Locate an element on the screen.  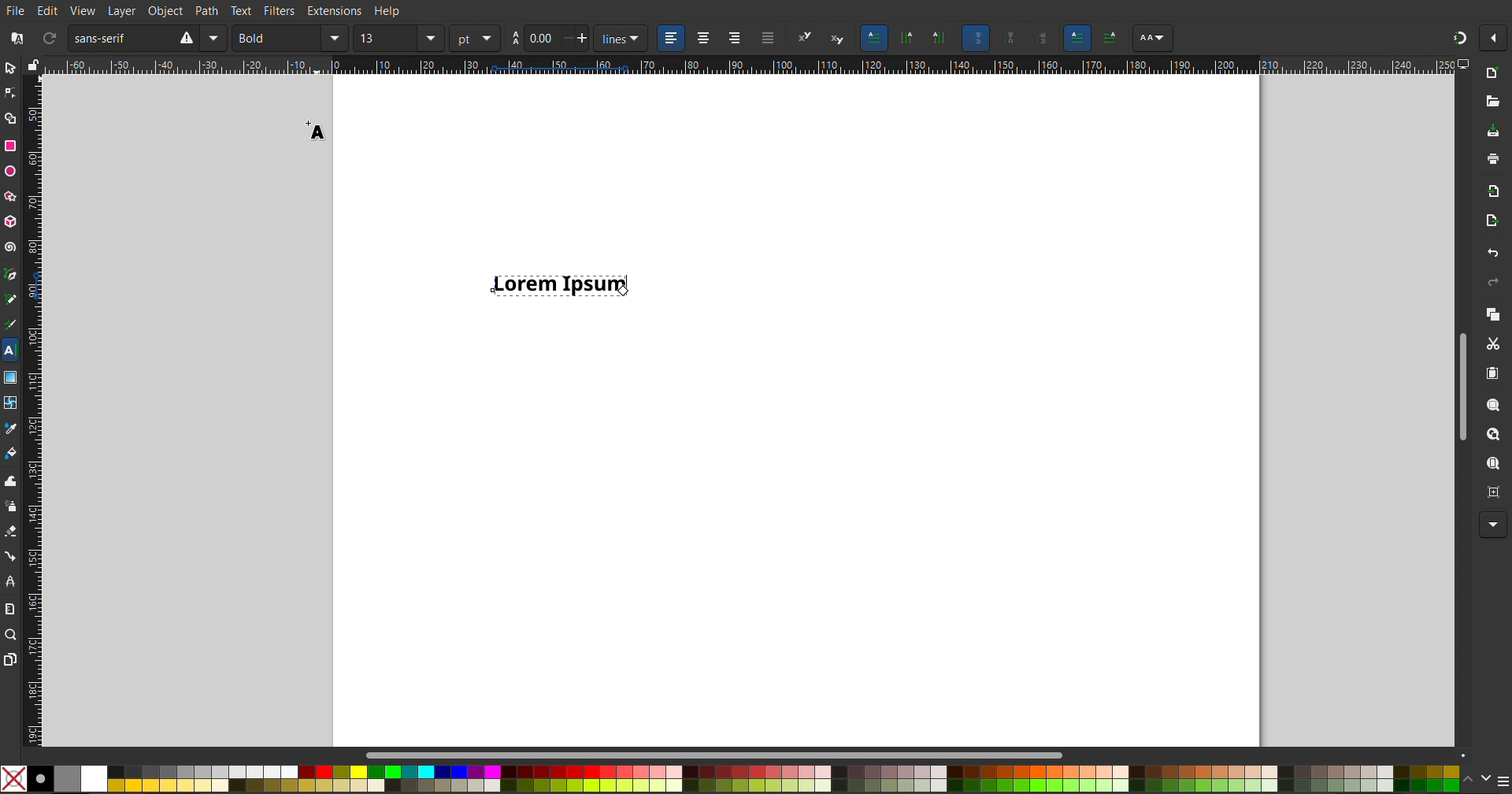
Justify is located at coordinates (768, 39).